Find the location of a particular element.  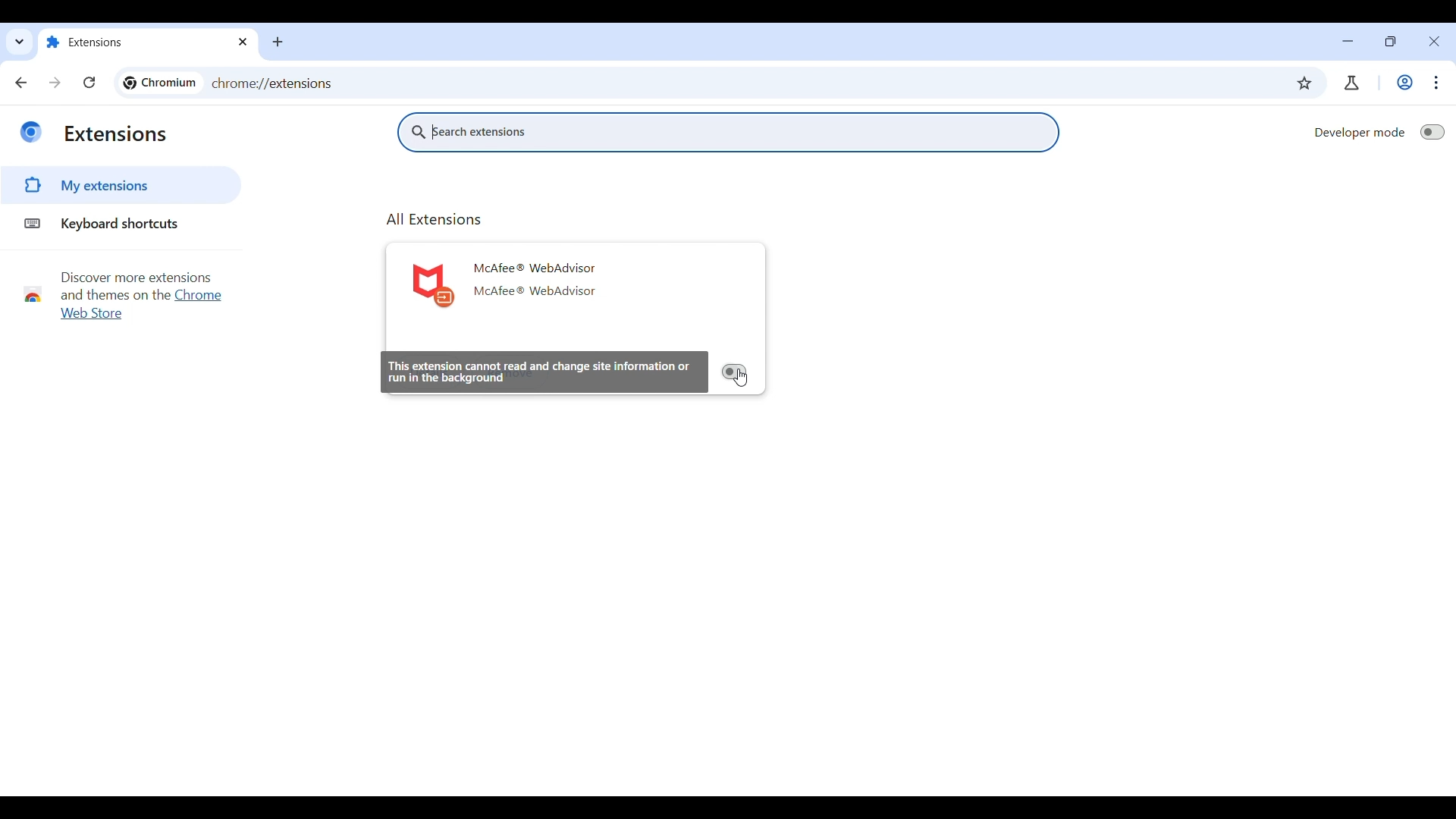

Add new tab is located at coordinates (278, 42).